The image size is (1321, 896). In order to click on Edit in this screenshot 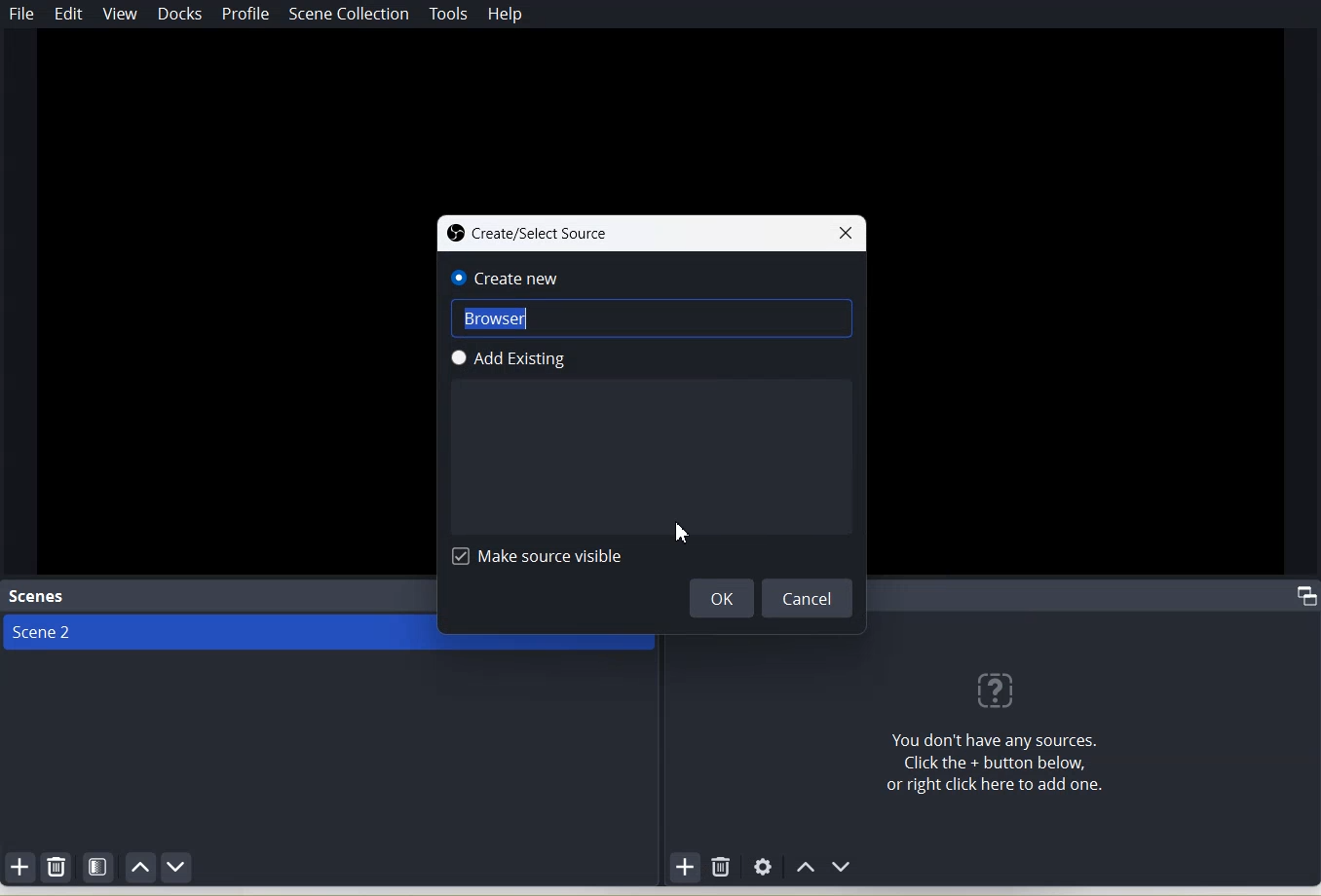, I will do `click(70, 14)`.